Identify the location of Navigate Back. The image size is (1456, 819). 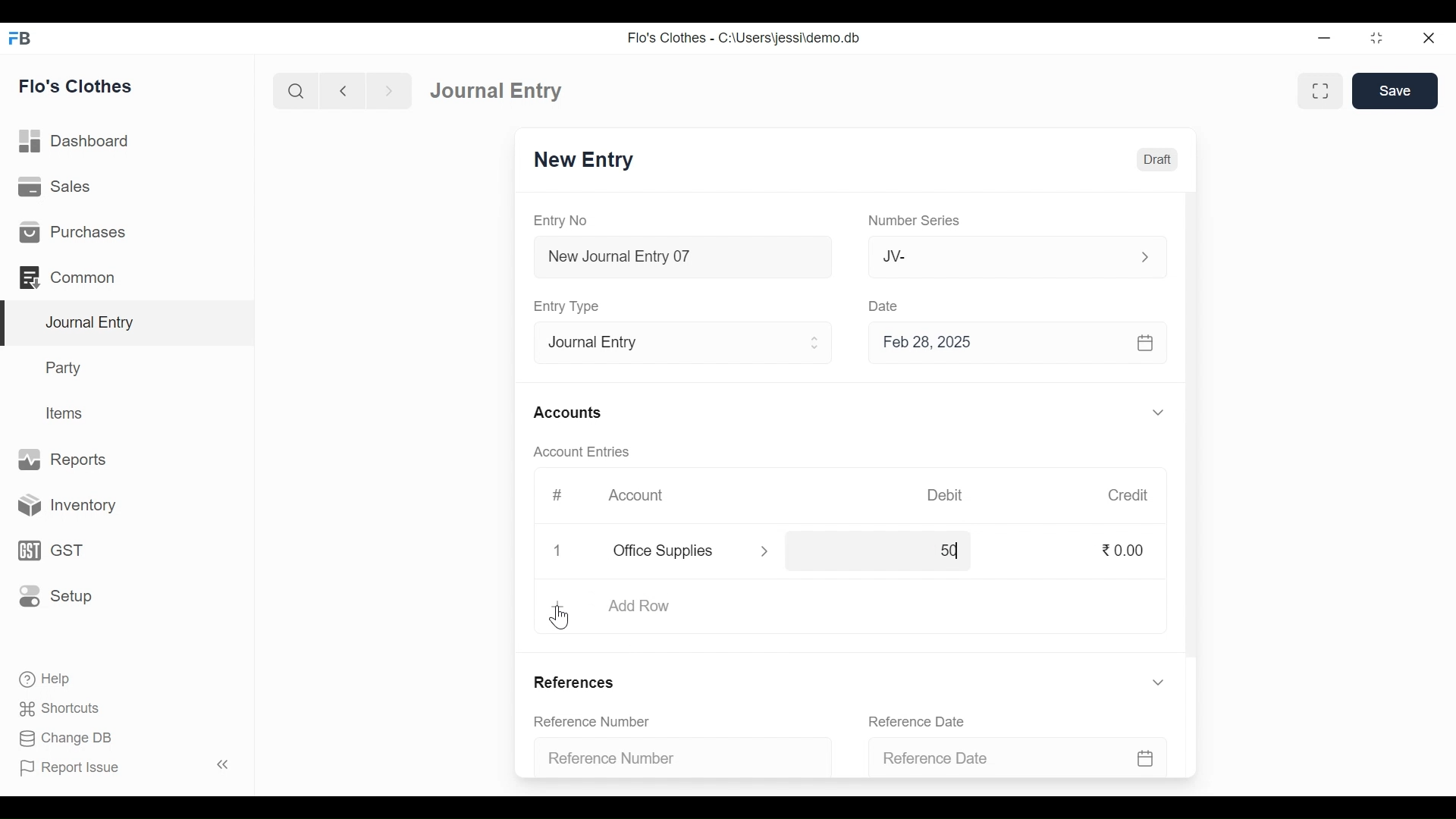
(342, 91).